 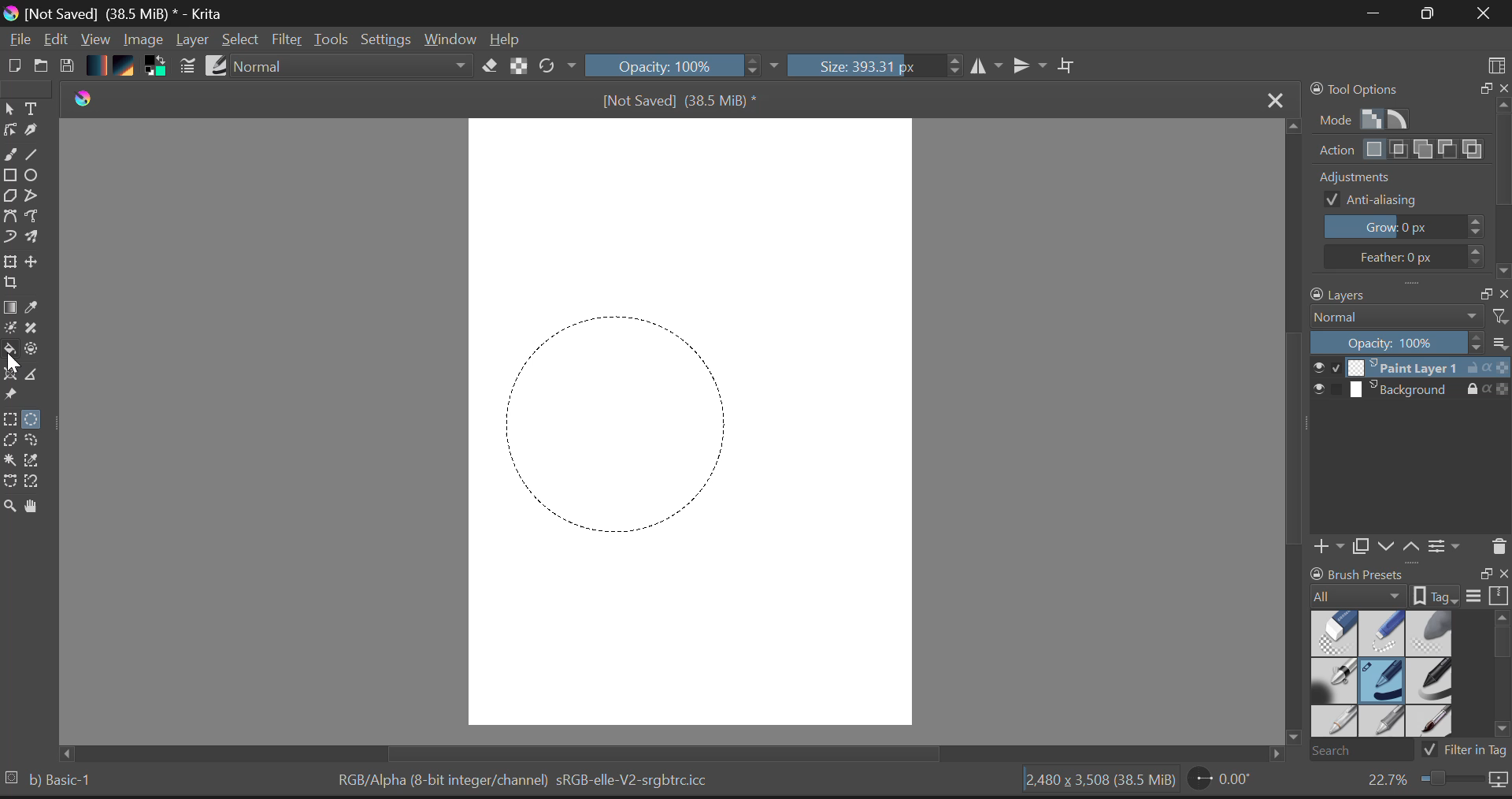 I want to click on MOUSE_UP Cursor Position, so click(x=734, y=541).